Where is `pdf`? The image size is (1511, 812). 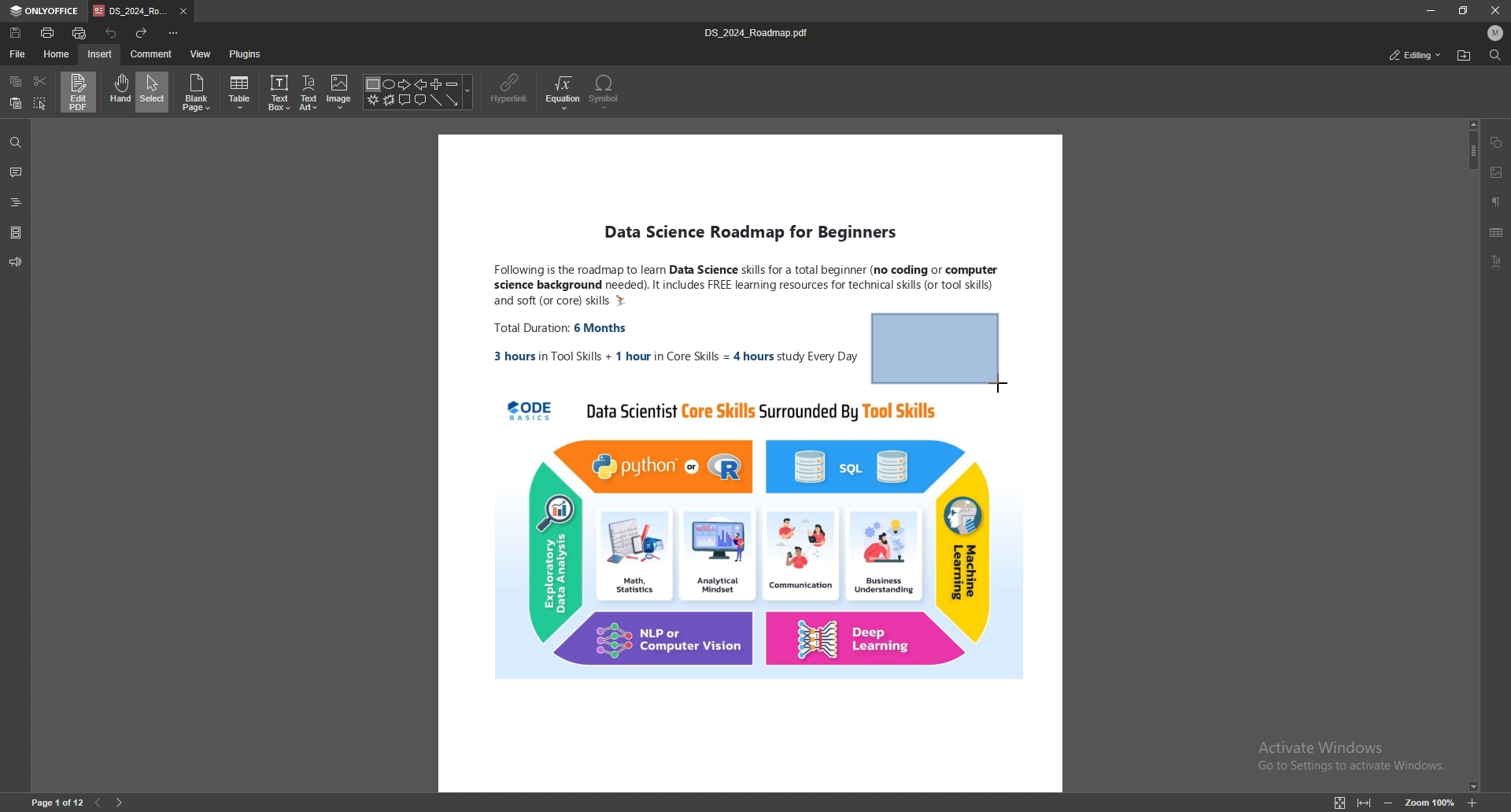
pdf is located at coordinates (839, 341).